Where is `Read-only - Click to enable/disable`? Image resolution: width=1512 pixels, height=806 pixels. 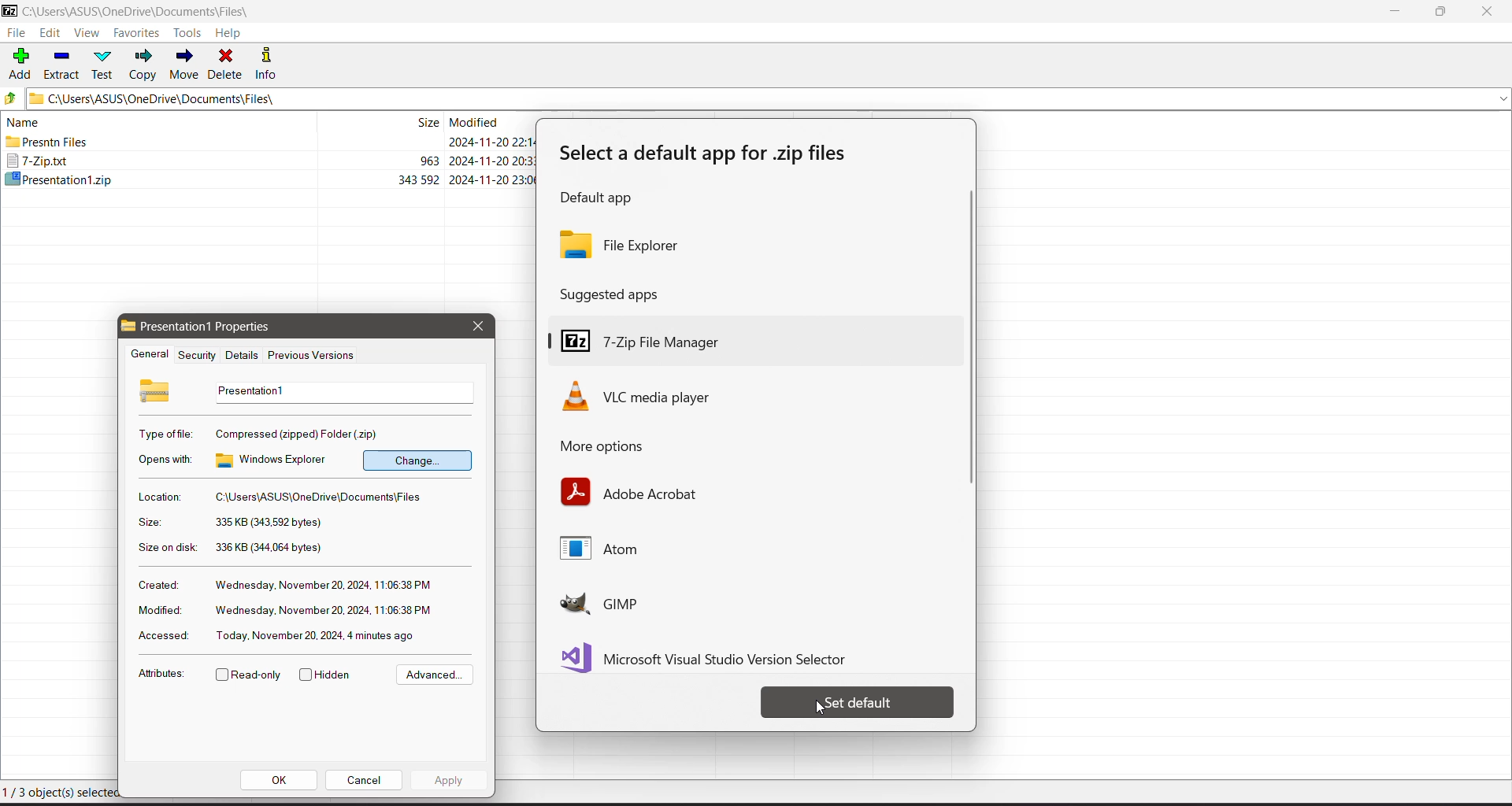
Read-only - Click to enable/disable is located at coordinates (249, 676).